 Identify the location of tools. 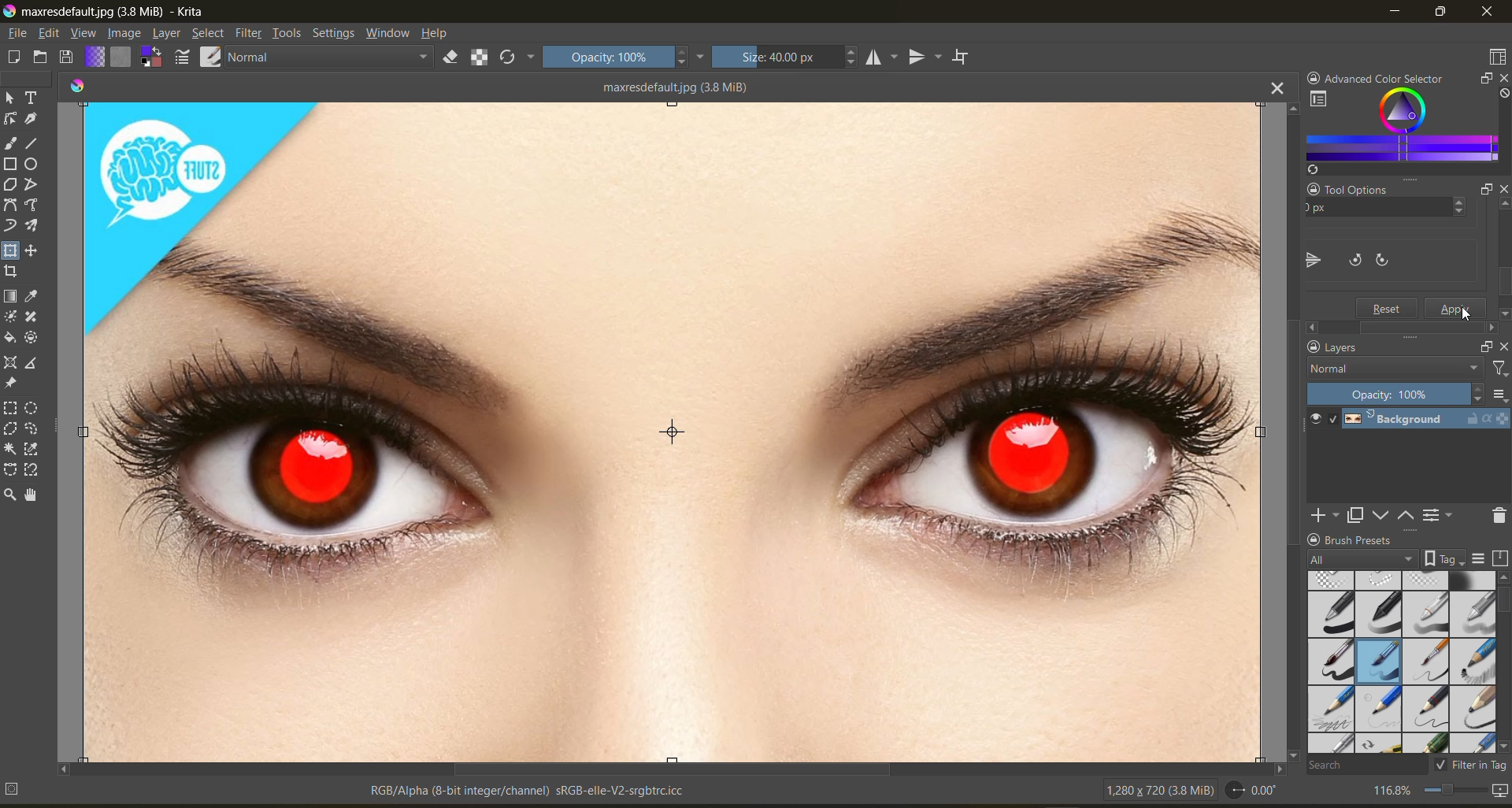
(287, 34).